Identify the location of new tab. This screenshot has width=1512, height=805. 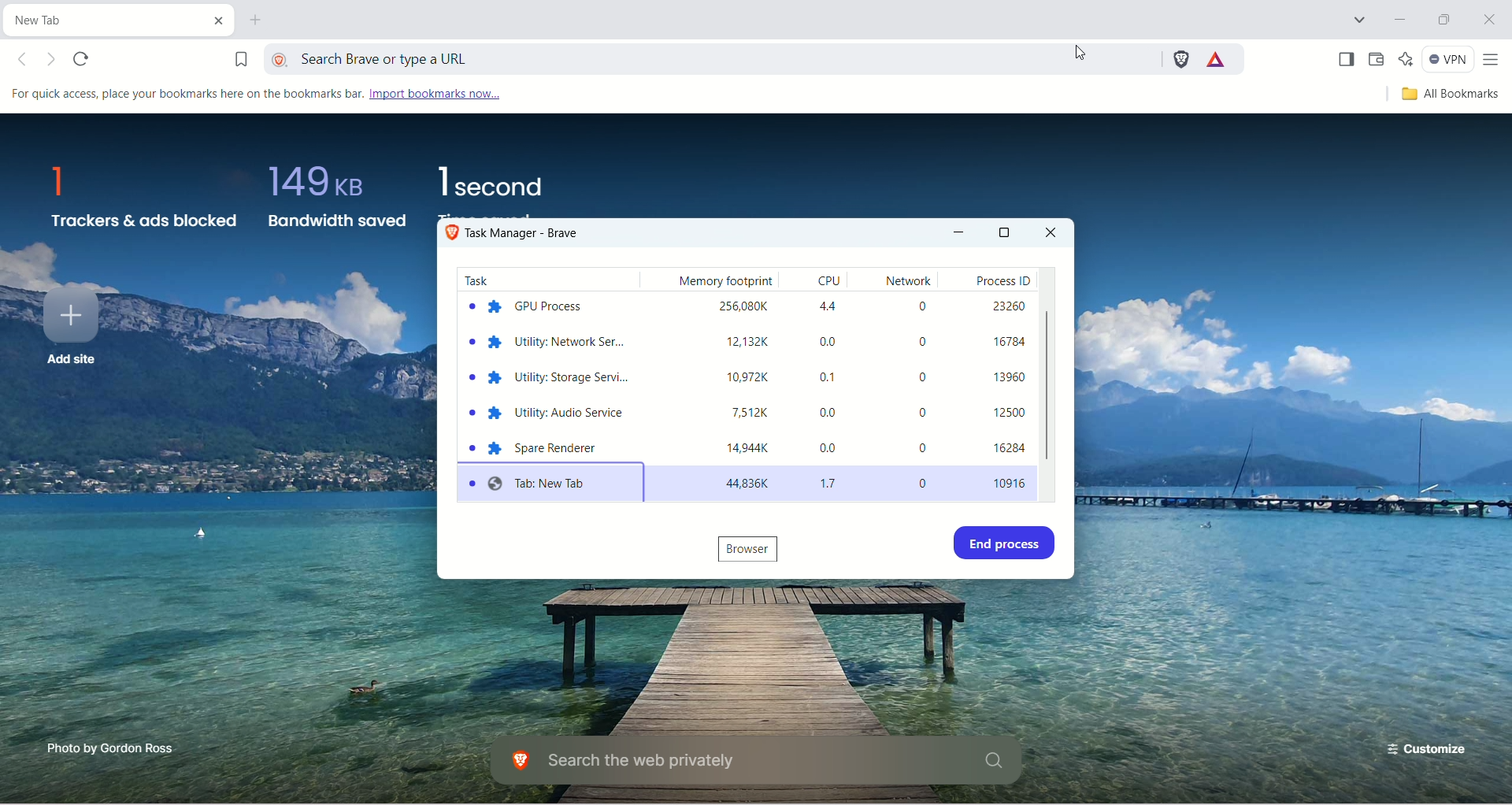
(261, 22).